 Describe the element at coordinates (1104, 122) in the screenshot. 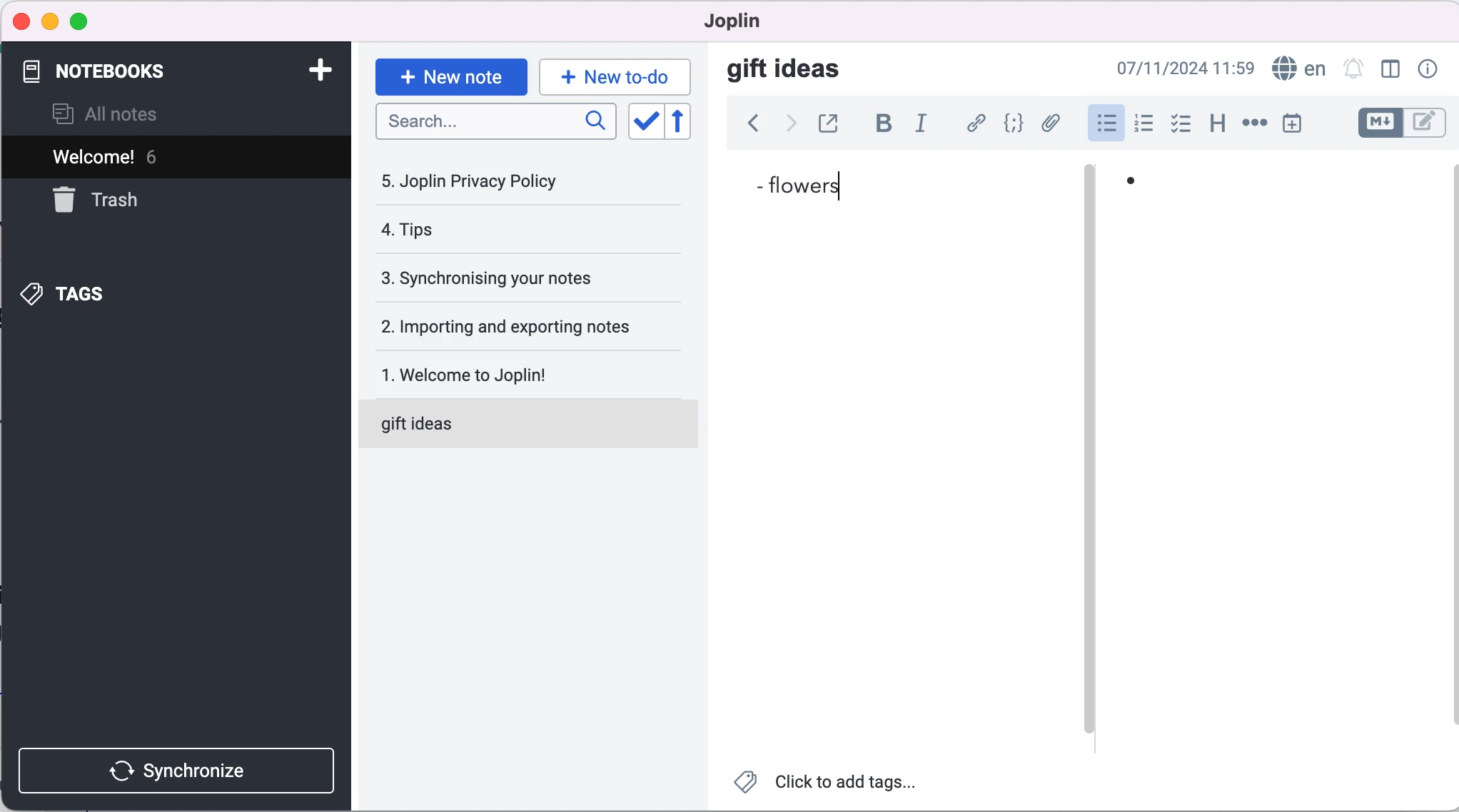

I see `bulleted list` at that location.